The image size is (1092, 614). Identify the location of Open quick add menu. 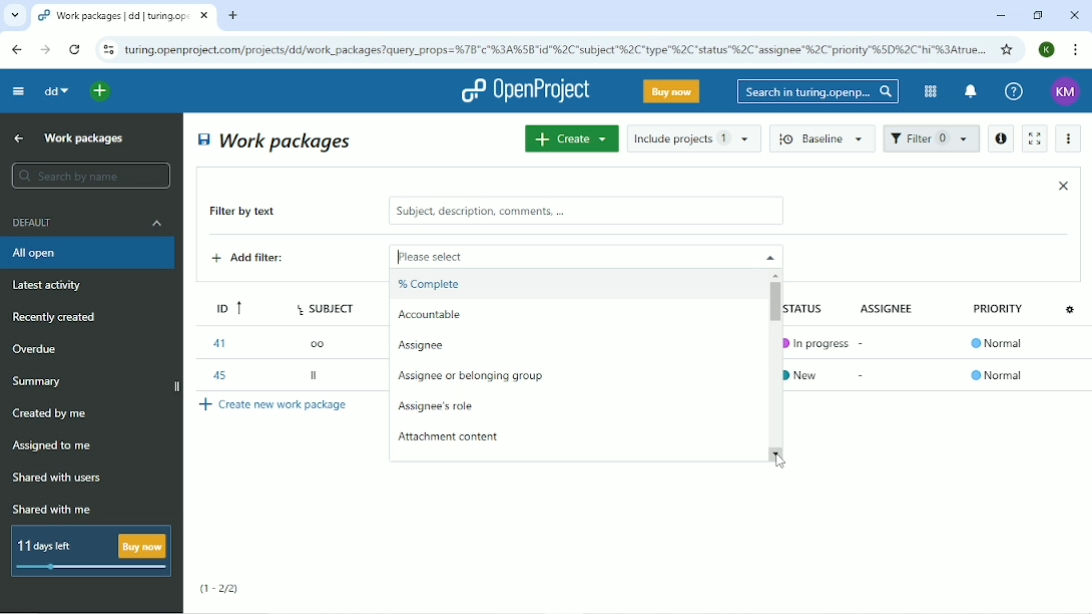
(101, 91).